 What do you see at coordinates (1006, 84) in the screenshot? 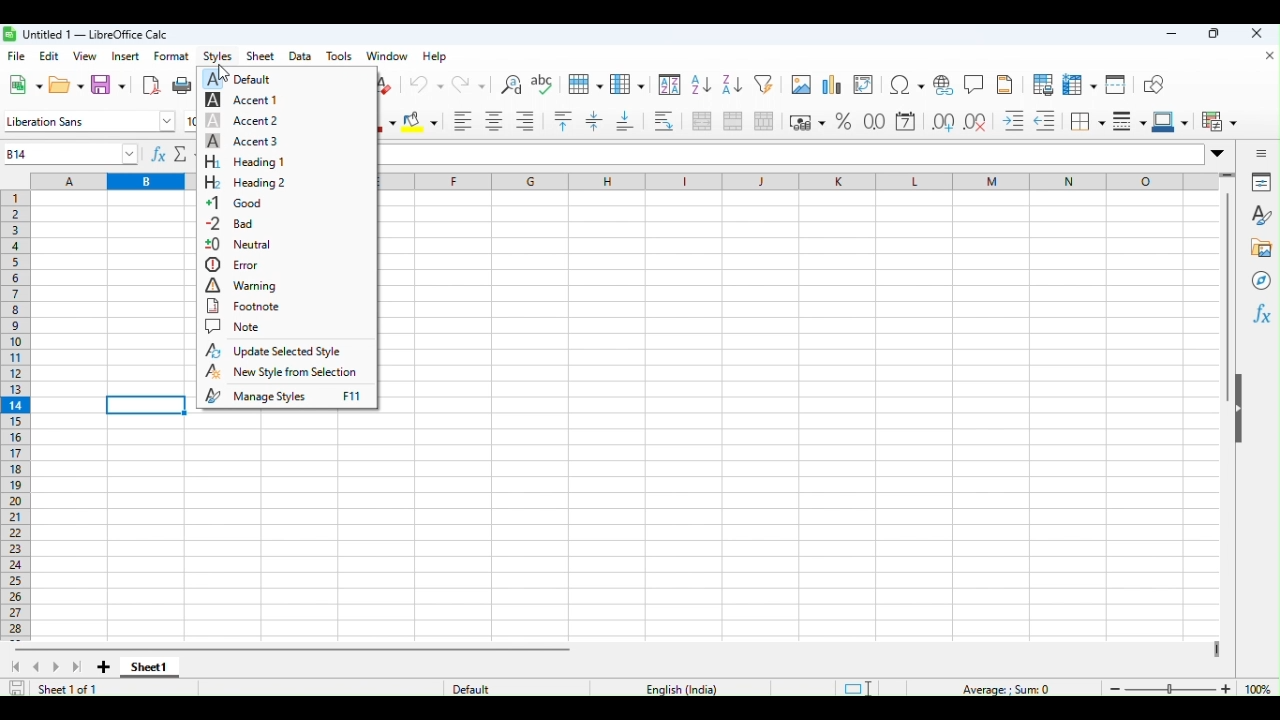
I see `Headers and footers` at bounding box center [1006, 84].